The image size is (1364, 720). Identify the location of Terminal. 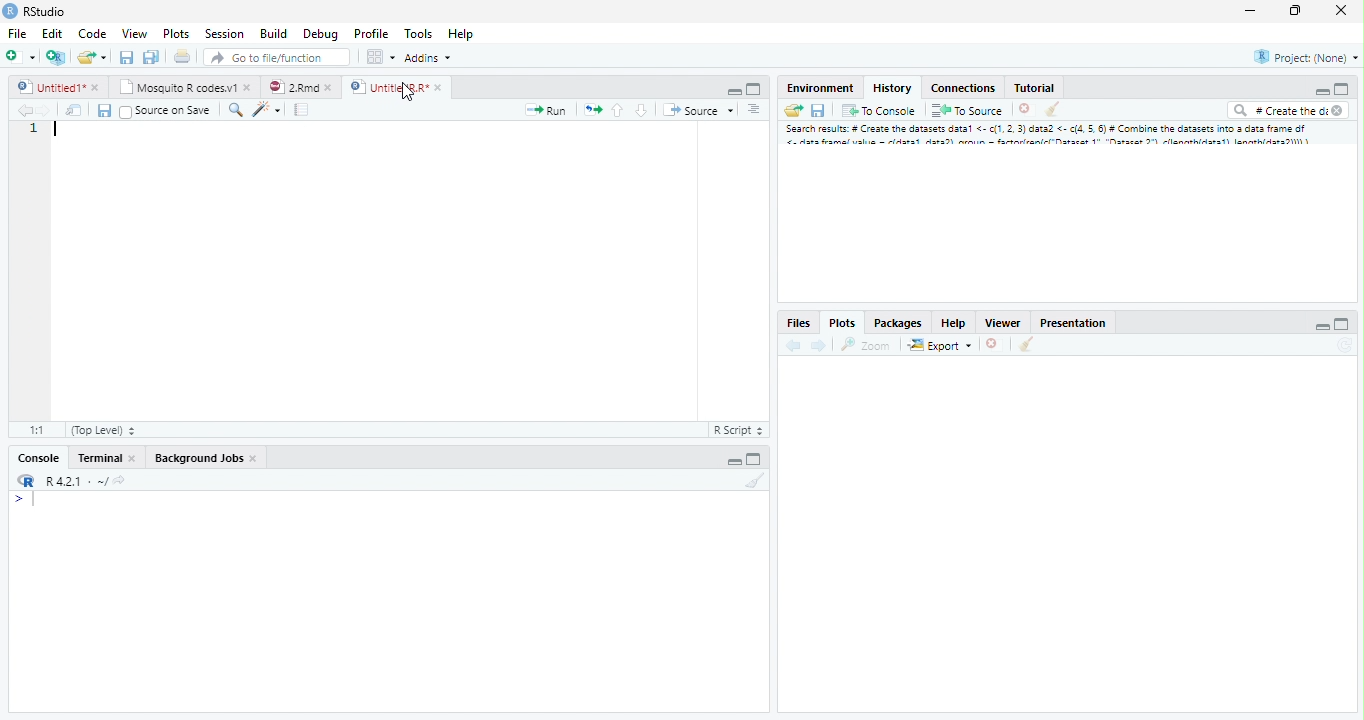
(107, 457).